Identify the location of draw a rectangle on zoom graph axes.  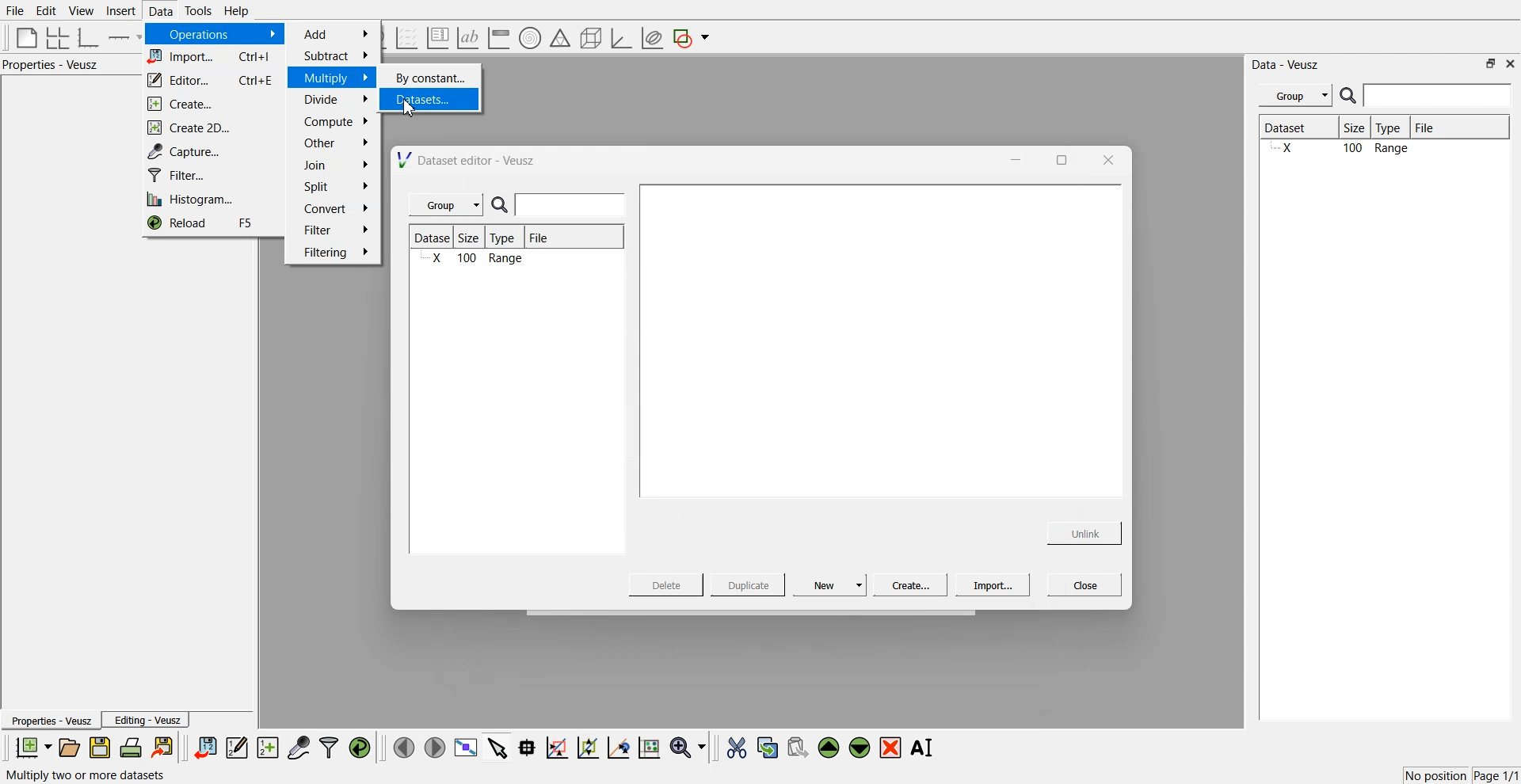
(556, 746).